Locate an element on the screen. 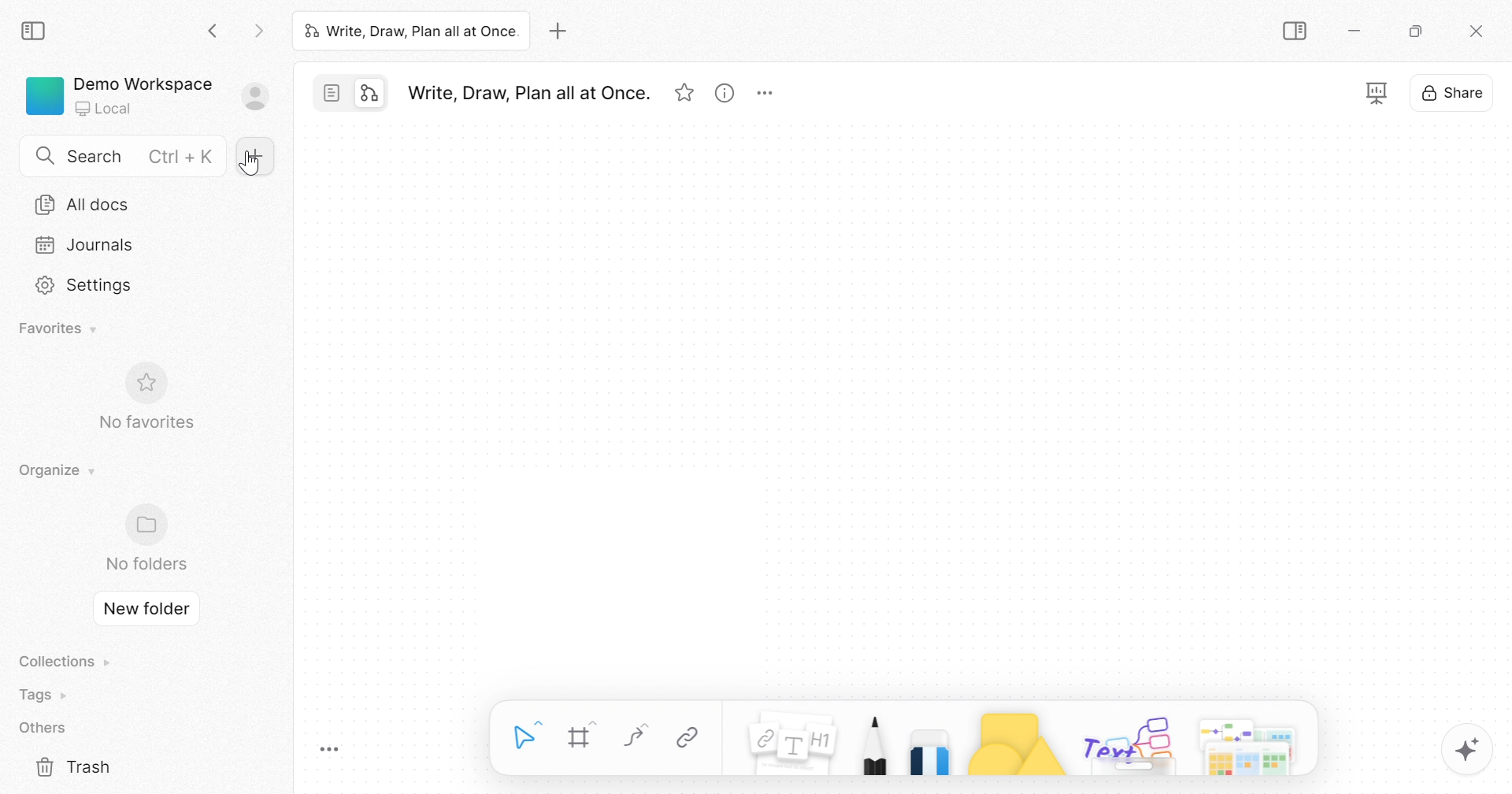 The image size is (1512, 794). Collections is located at coordinates (66, 662).